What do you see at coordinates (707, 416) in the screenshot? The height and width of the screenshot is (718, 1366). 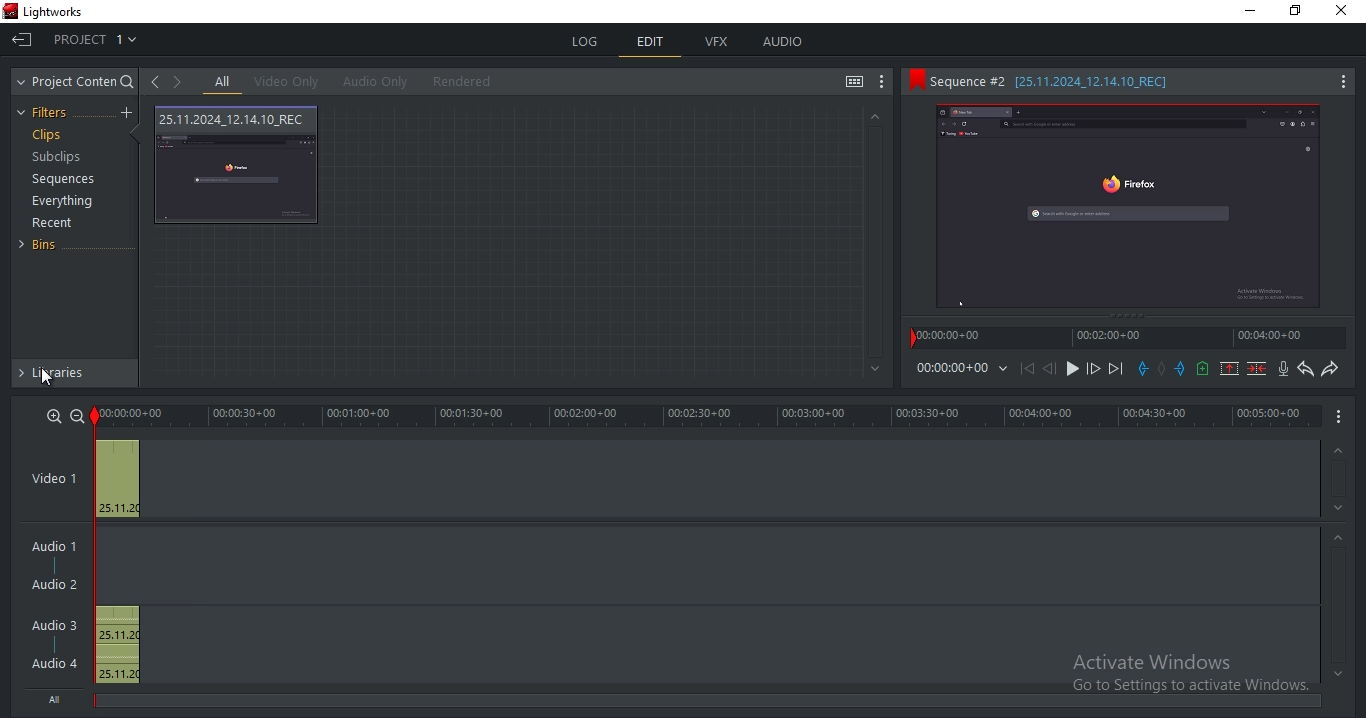 I see `timeline` at bounding box center [707, 416].